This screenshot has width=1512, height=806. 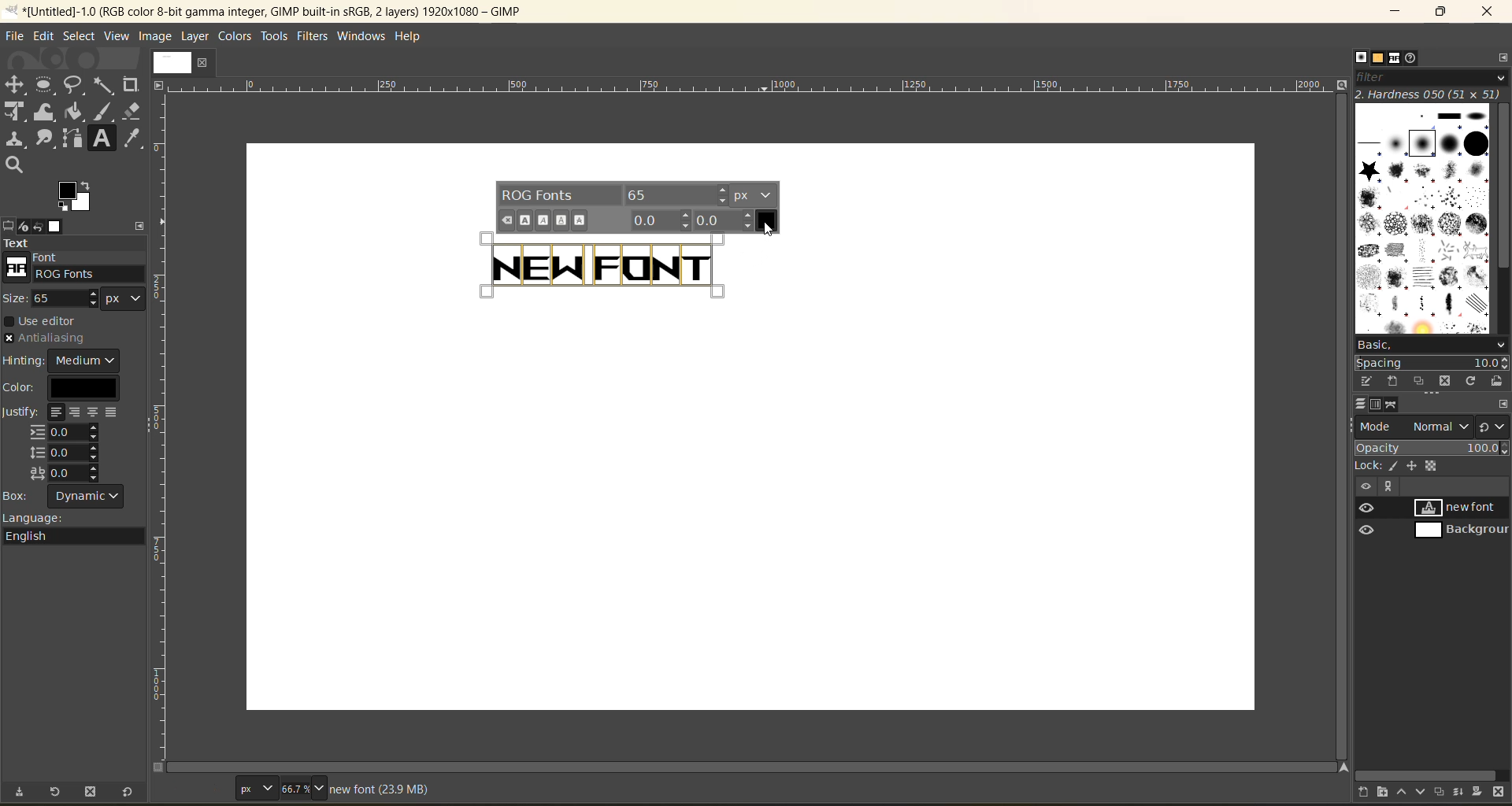 I want to click on basic, so click(x=1432, y=346).